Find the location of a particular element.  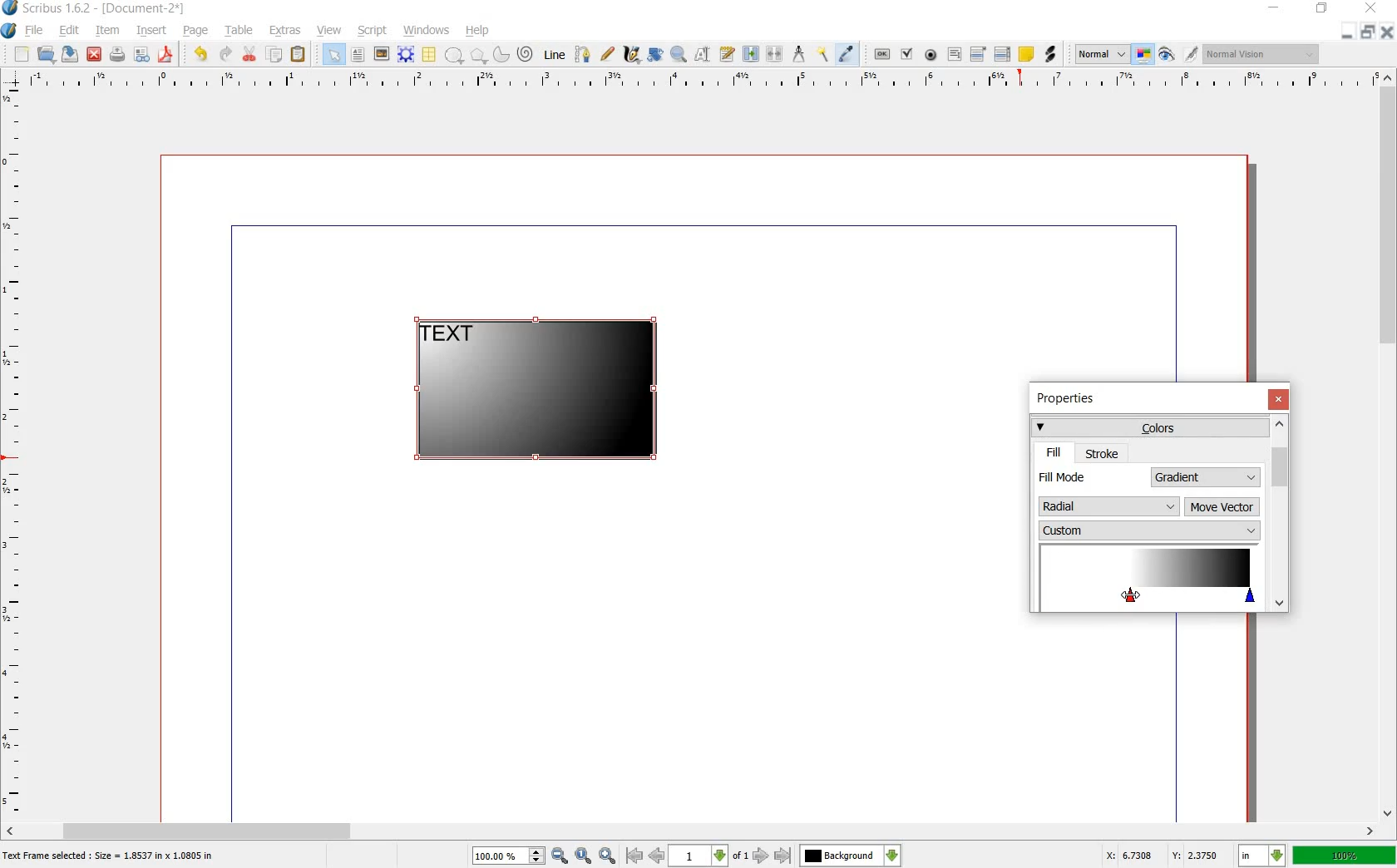

1 is located at coordinates (697, 856).